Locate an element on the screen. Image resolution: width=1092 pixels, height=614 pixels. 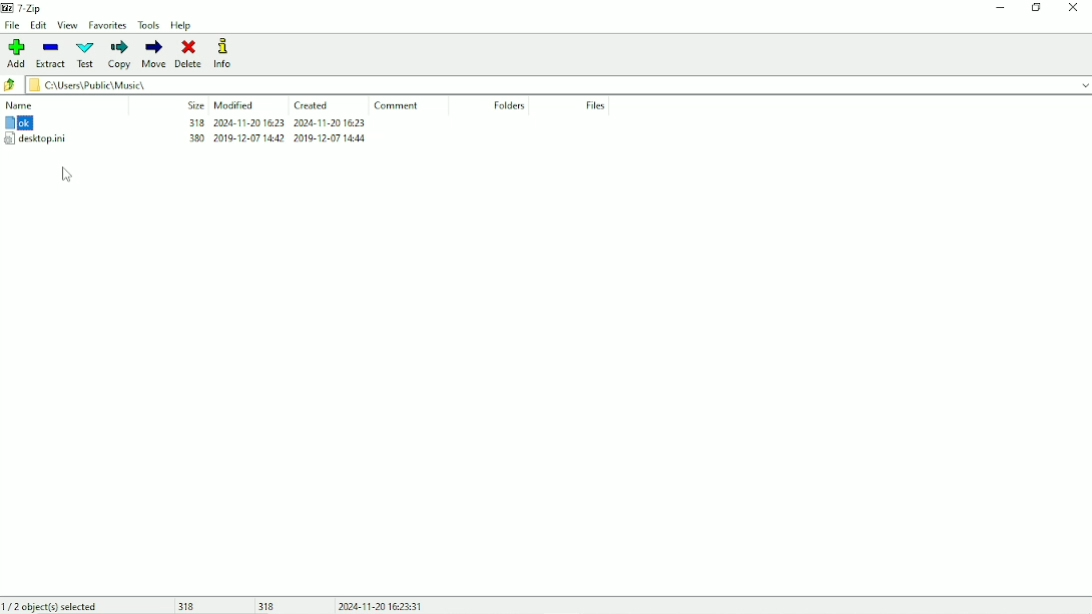
Test is located at coordinates (84, 54).